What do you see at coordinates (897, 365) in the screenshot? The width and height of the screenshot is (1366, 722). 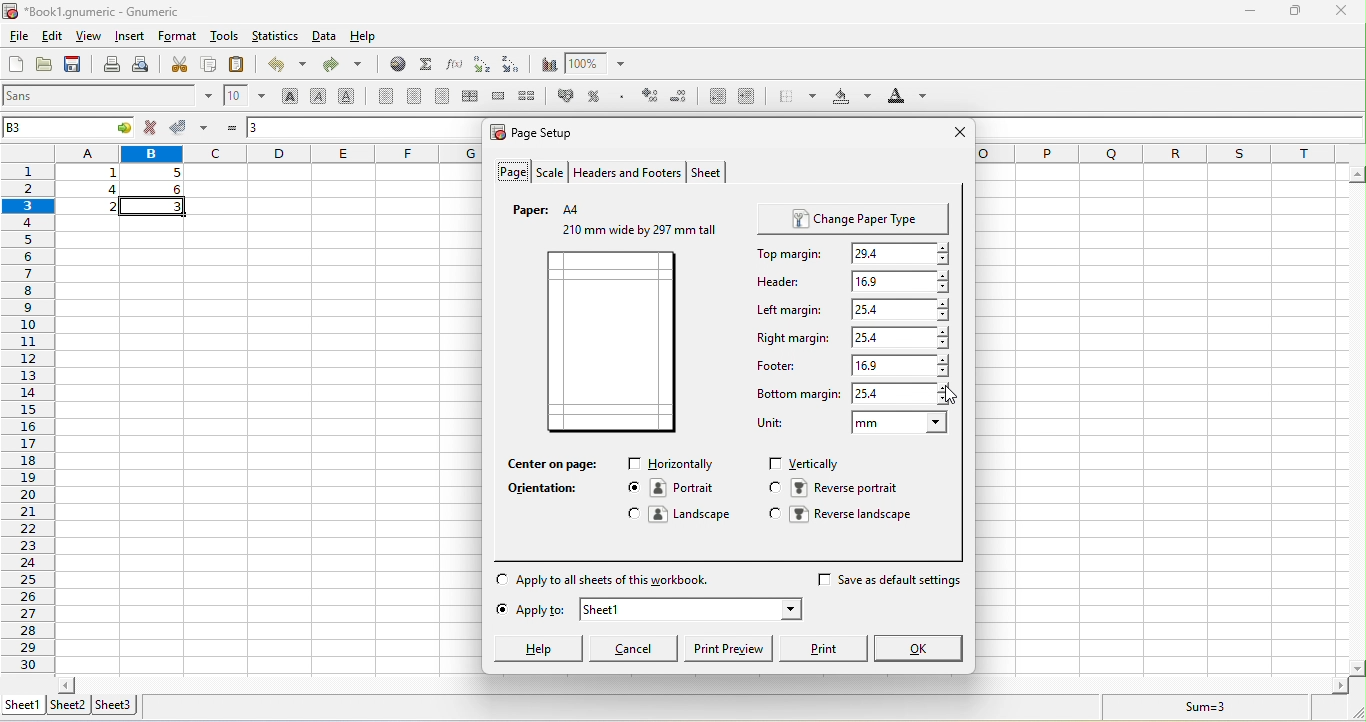 I see `16.9` at bounding box center [897, 365].